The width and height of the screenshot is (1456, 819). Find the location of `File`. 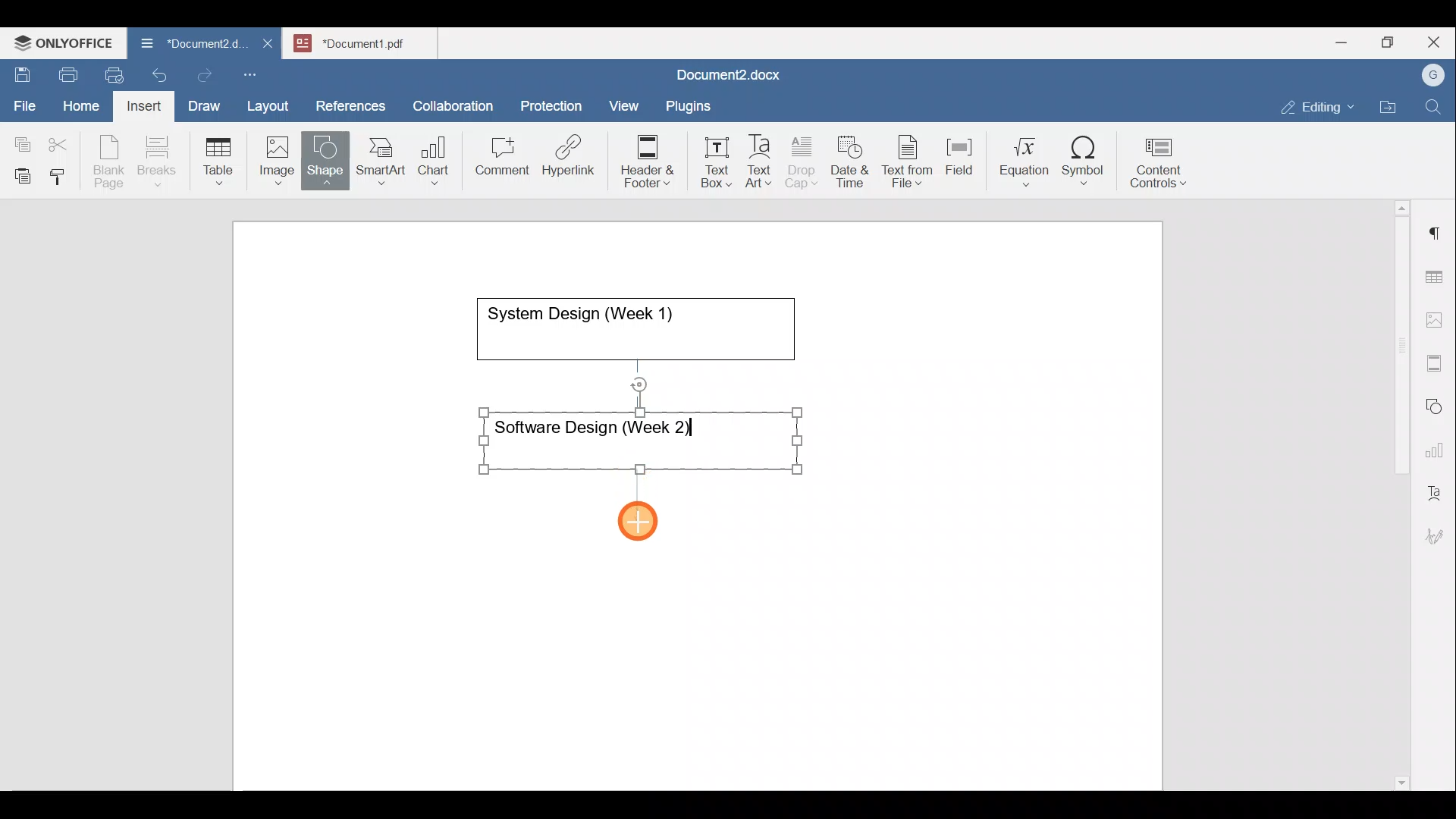

File is located at coordinates (26, 101).